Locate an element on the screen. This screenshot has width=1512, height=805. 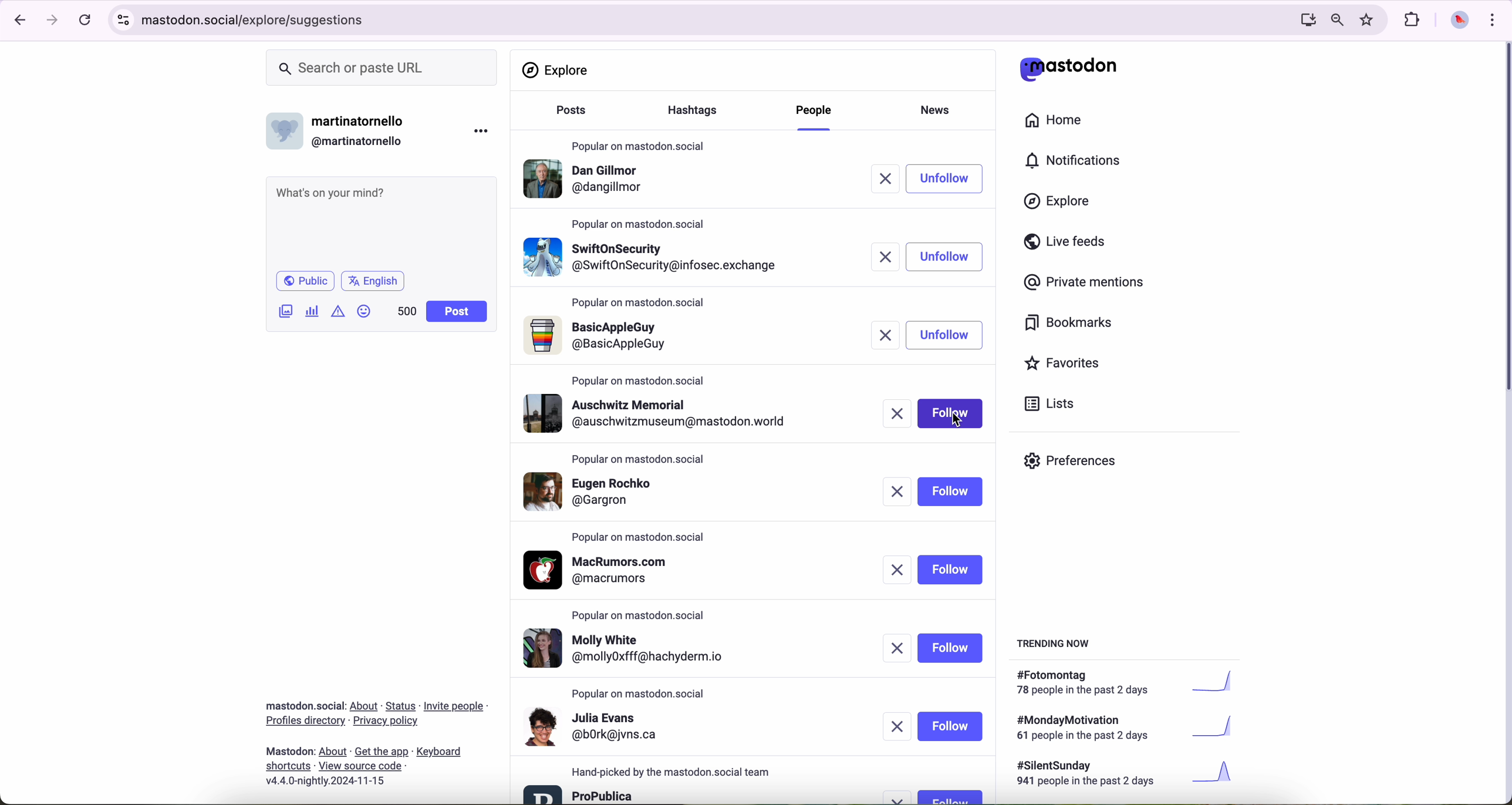
profile is located at coordinates (604, 570).